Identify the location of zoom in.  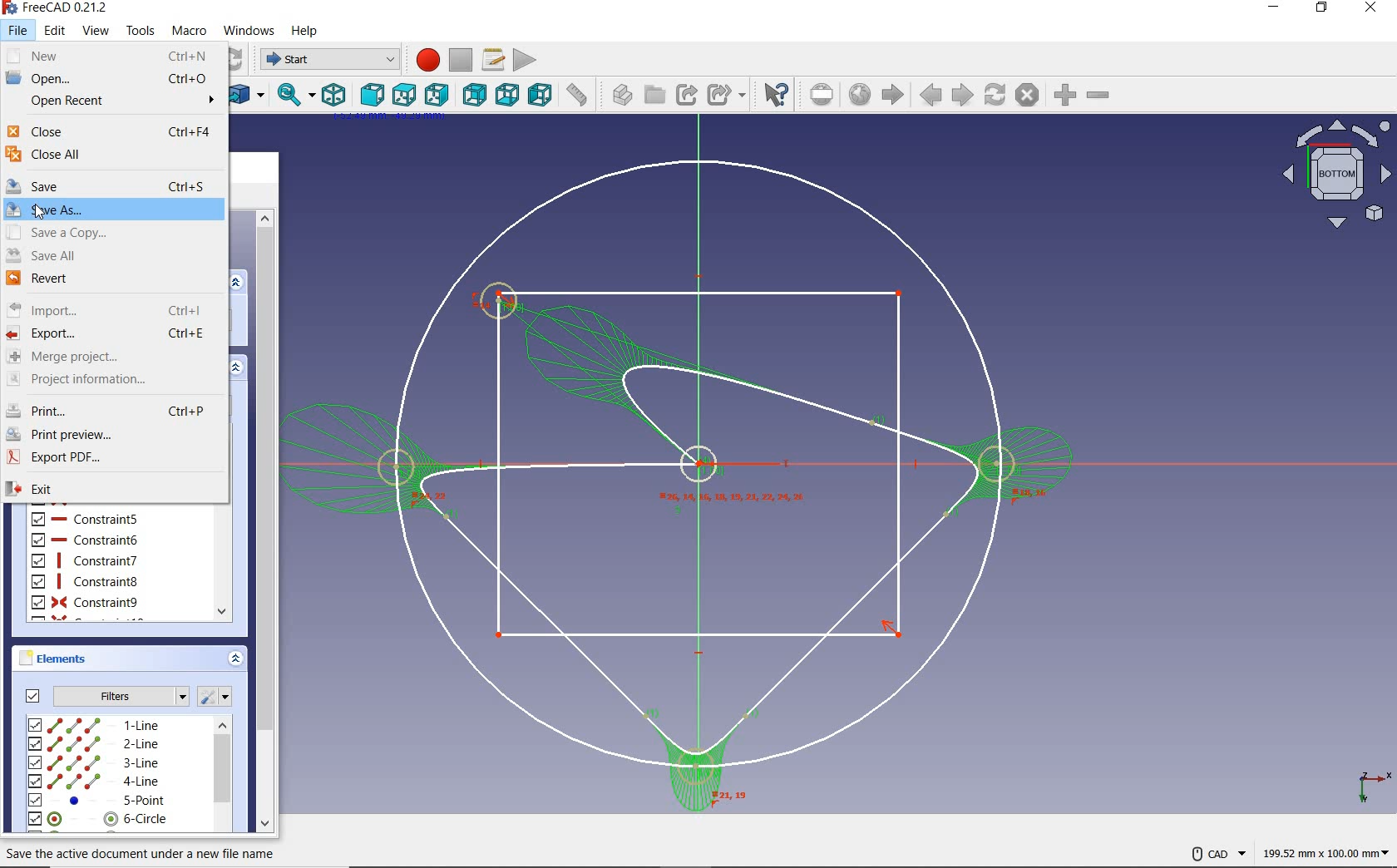
(1064, 96).